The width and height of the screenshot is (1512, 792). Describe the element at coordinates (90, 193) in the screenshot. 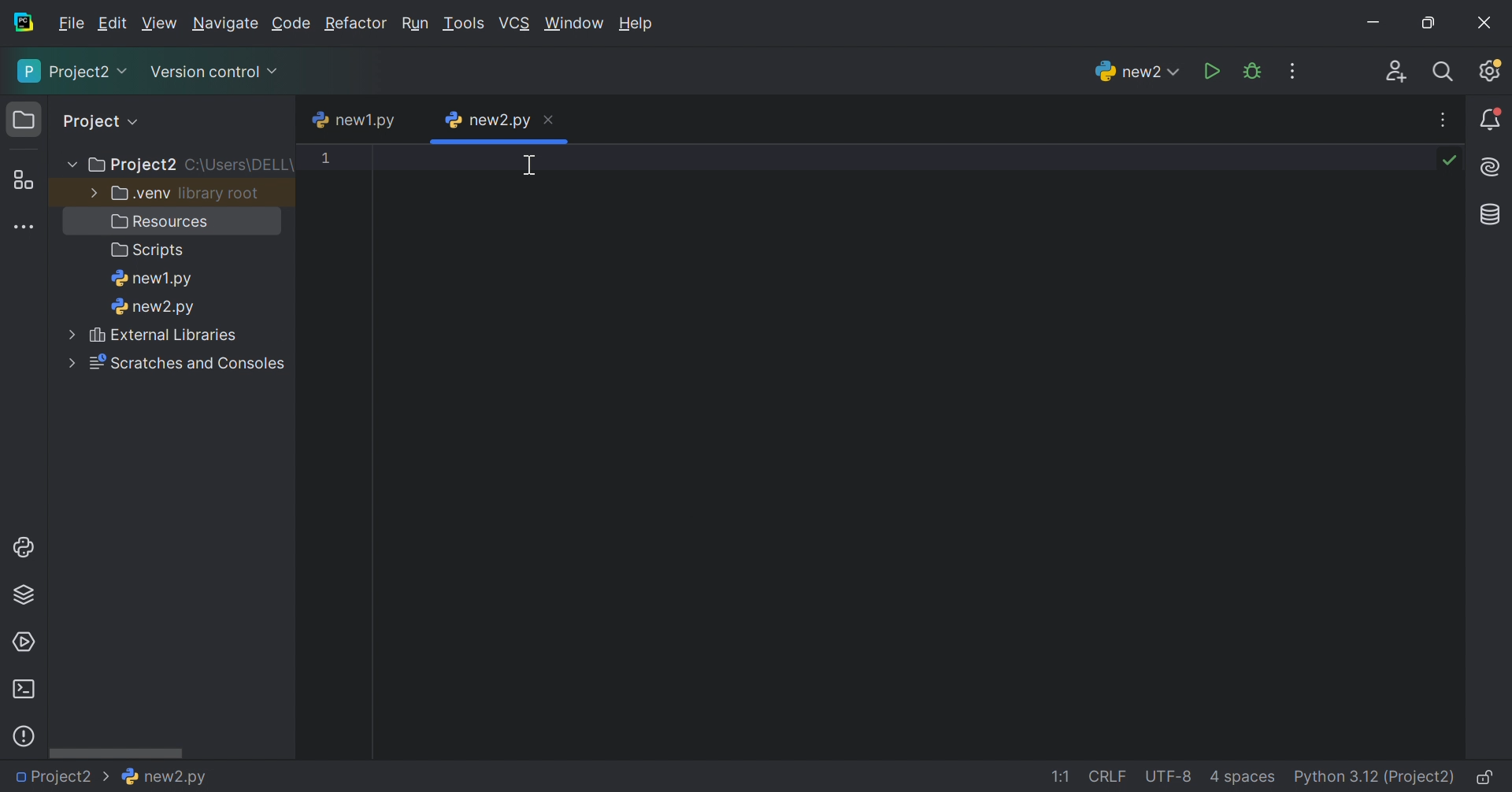

I see `More` at that location.